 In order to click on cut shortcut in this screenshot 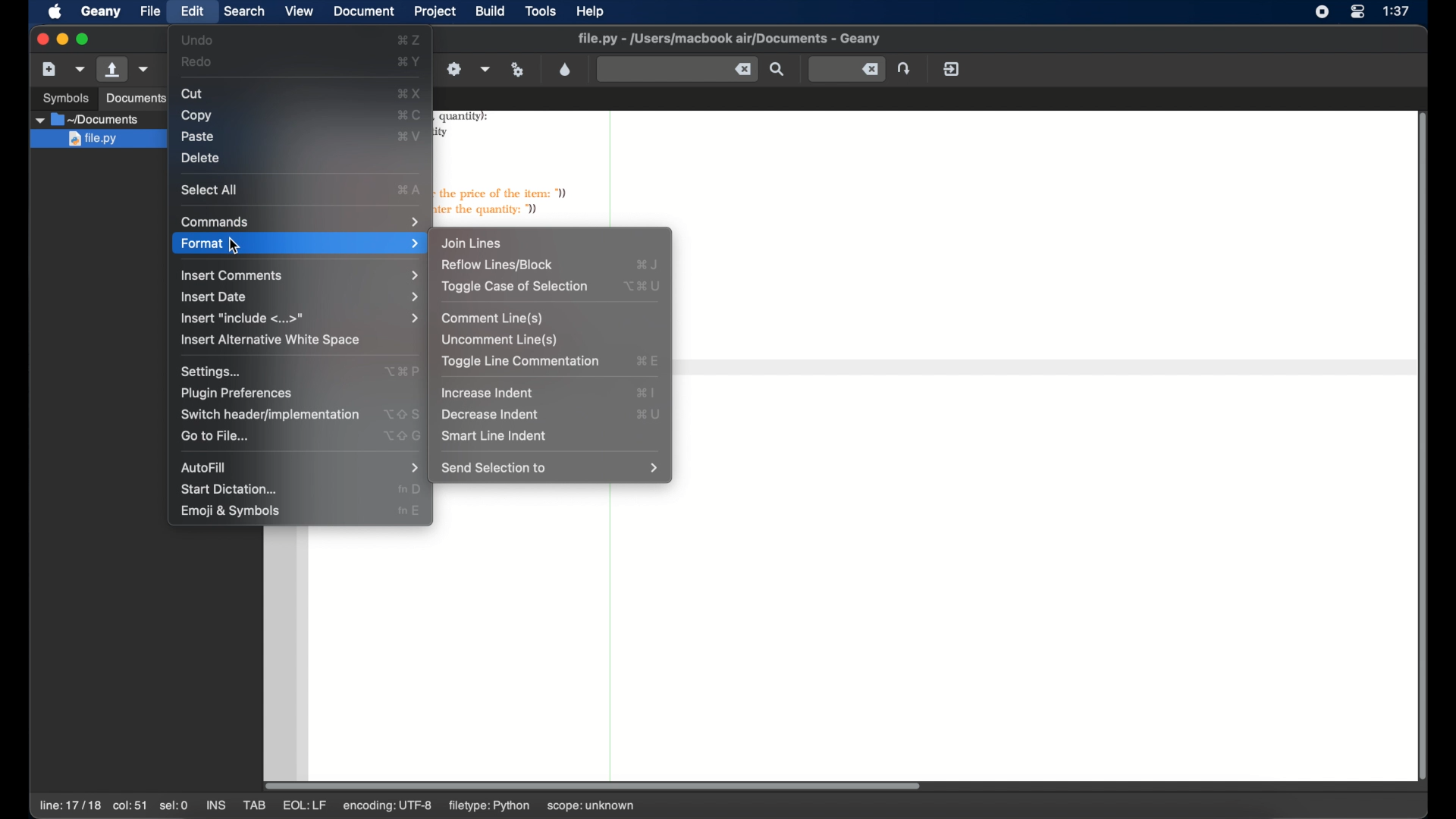, I will do `click(409, 93)`.